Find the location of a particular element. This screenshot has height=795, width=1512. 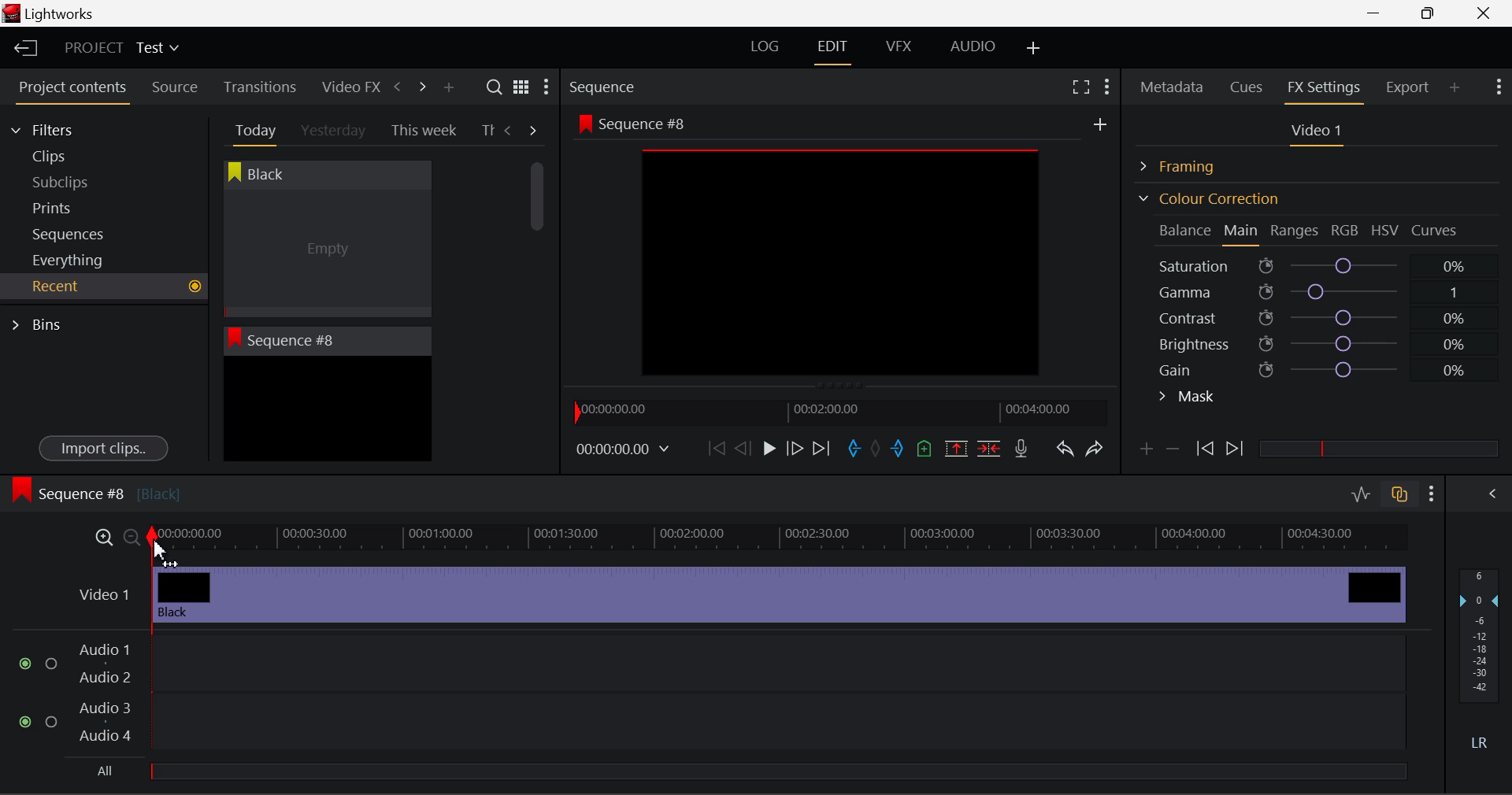

Next keyframe is located at coordinates (1236, 449).